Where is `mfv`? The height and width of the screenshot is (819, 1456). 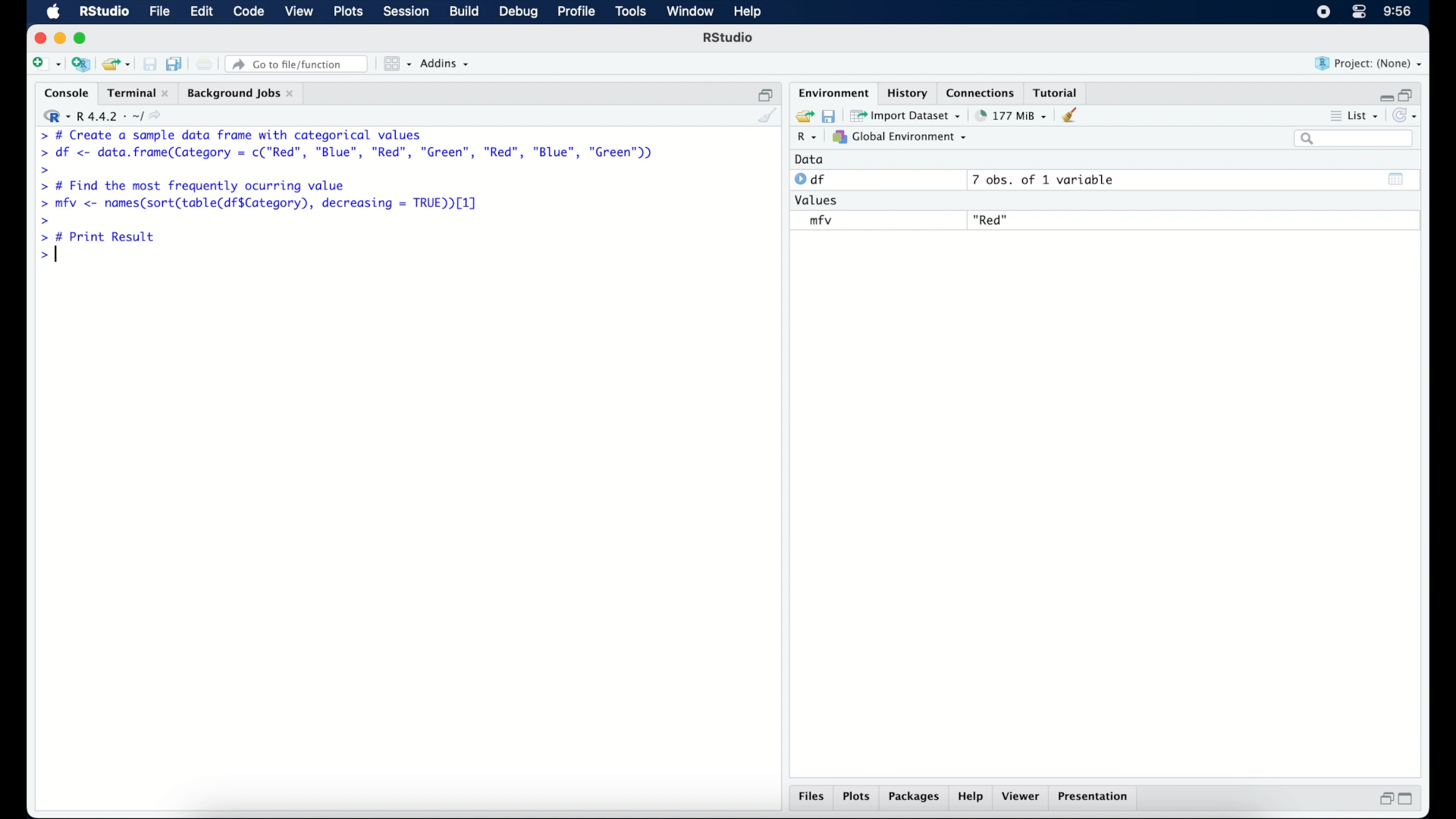
mfv is located at coordinates (821, 220).